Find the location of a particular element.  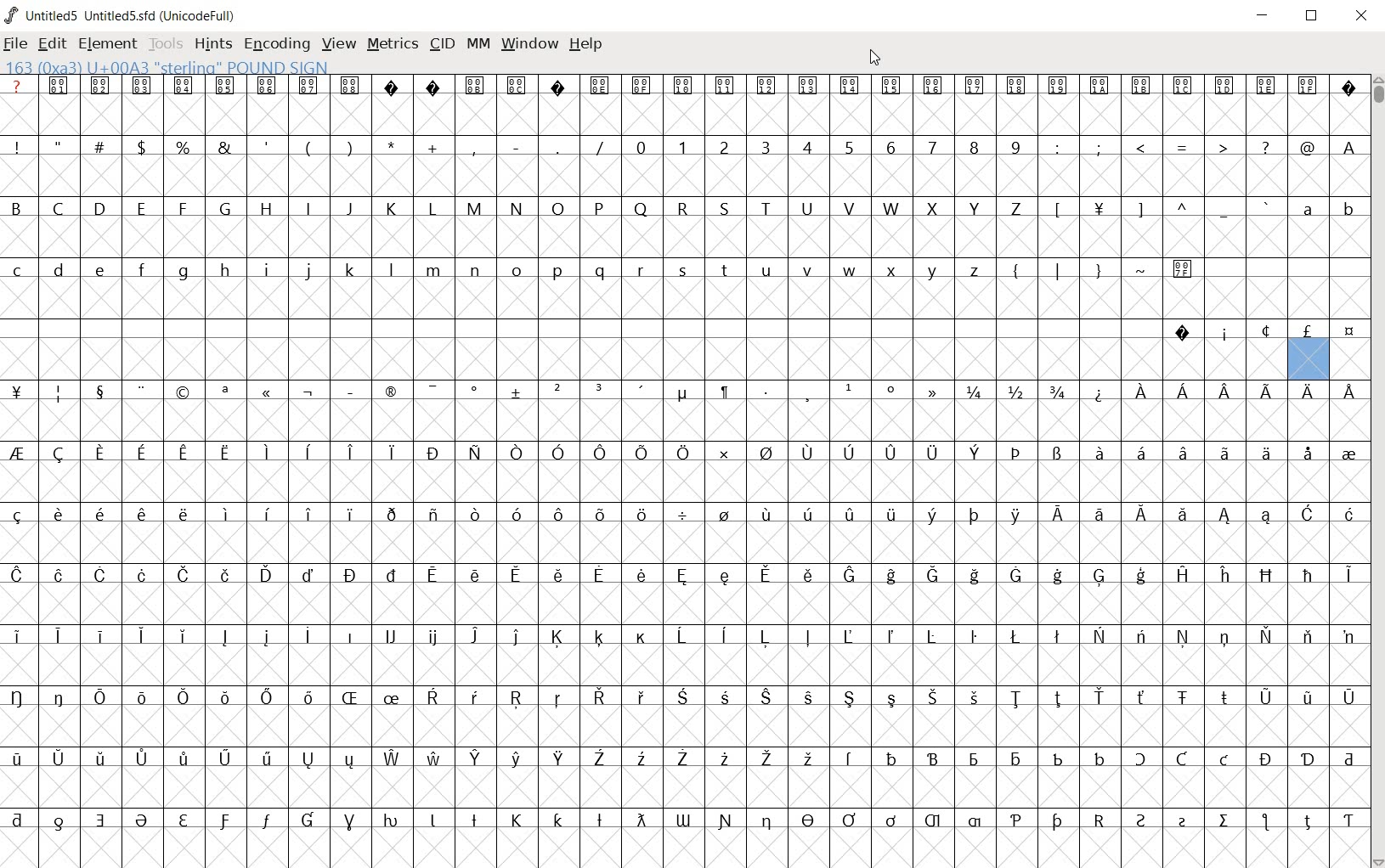

g is located at coordinates (183, 271).